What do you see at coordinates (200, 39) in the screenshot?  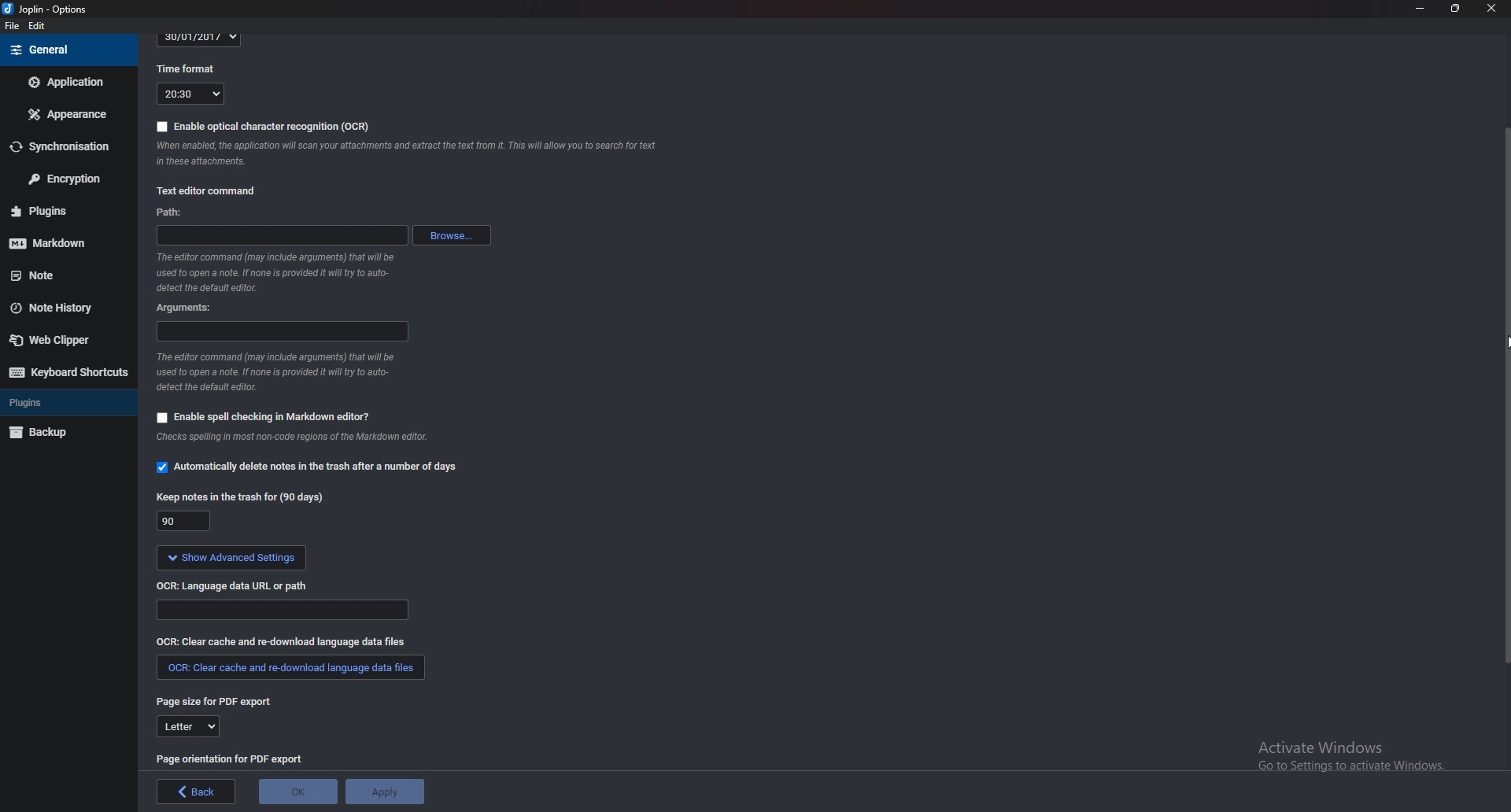 I see `30/01/2017` at bounding box center [200, 39].